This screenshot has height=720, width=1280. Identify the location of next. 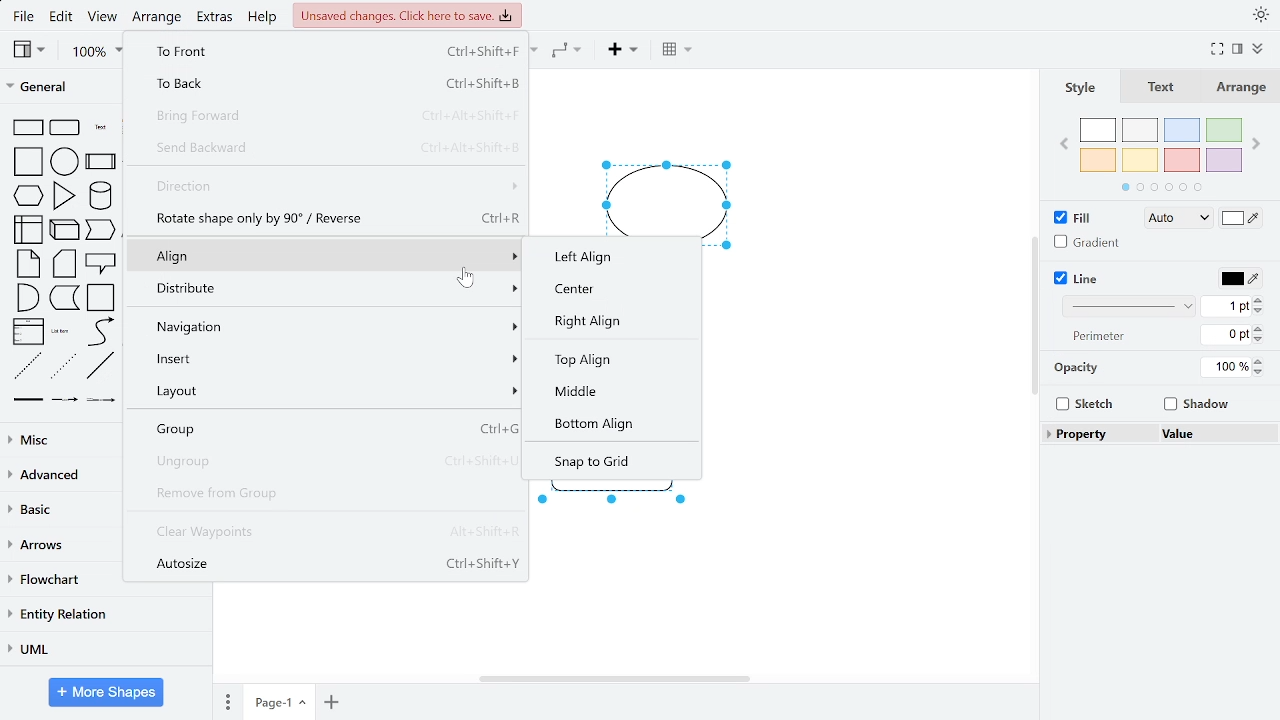
(1256, 145).